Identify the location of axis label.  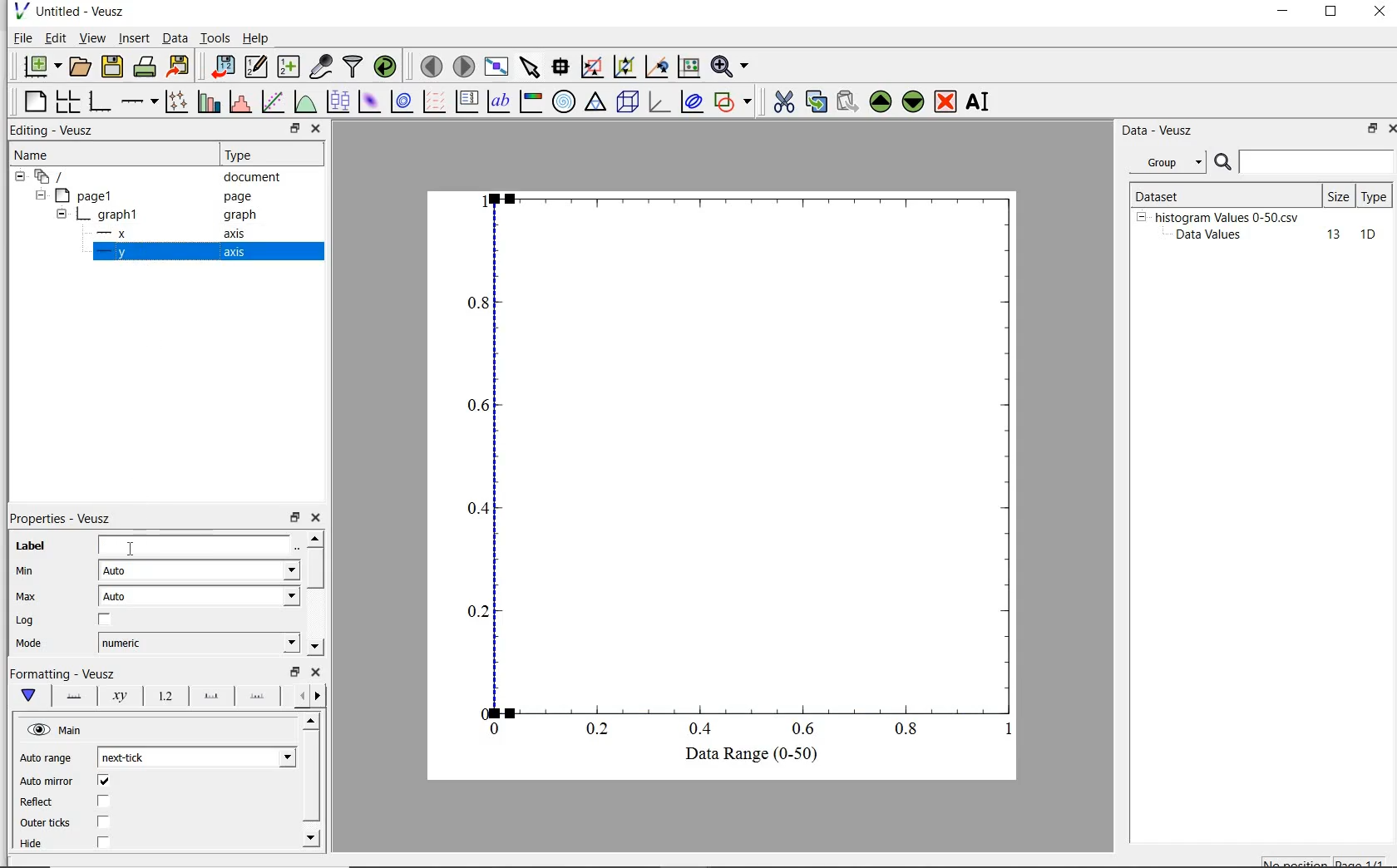
(121, 696).